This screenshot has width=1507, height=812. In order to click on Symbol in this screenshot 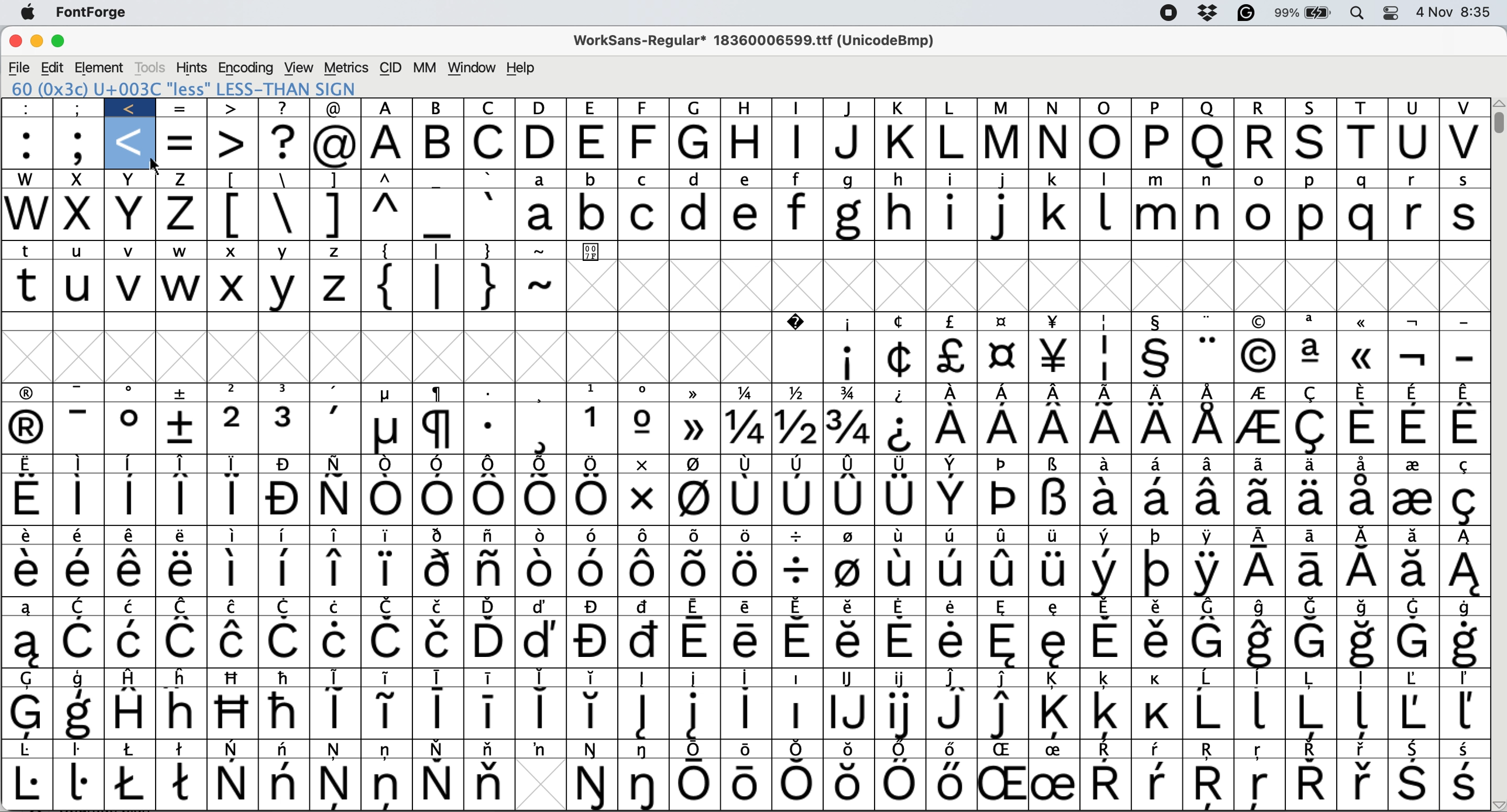, I will do `click(1054, 679)`.